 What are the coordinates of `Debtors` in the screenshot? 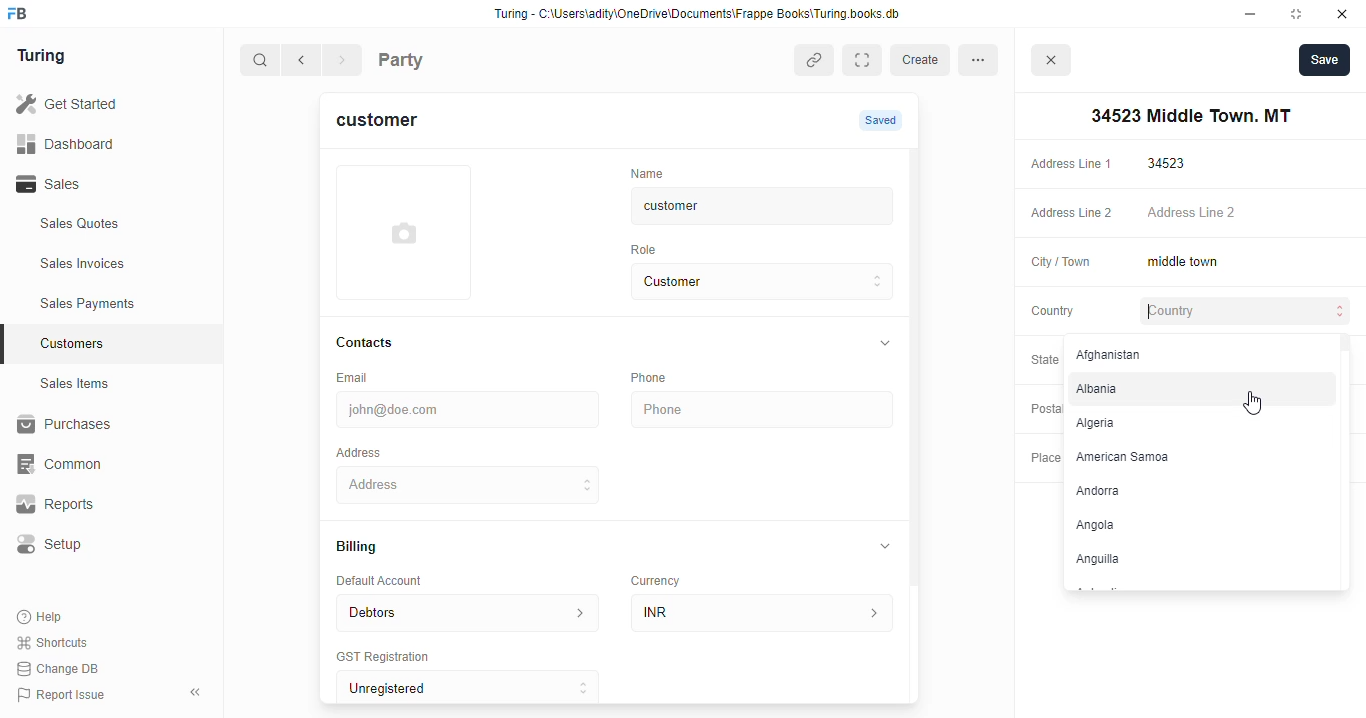 It's located at (467, 611).